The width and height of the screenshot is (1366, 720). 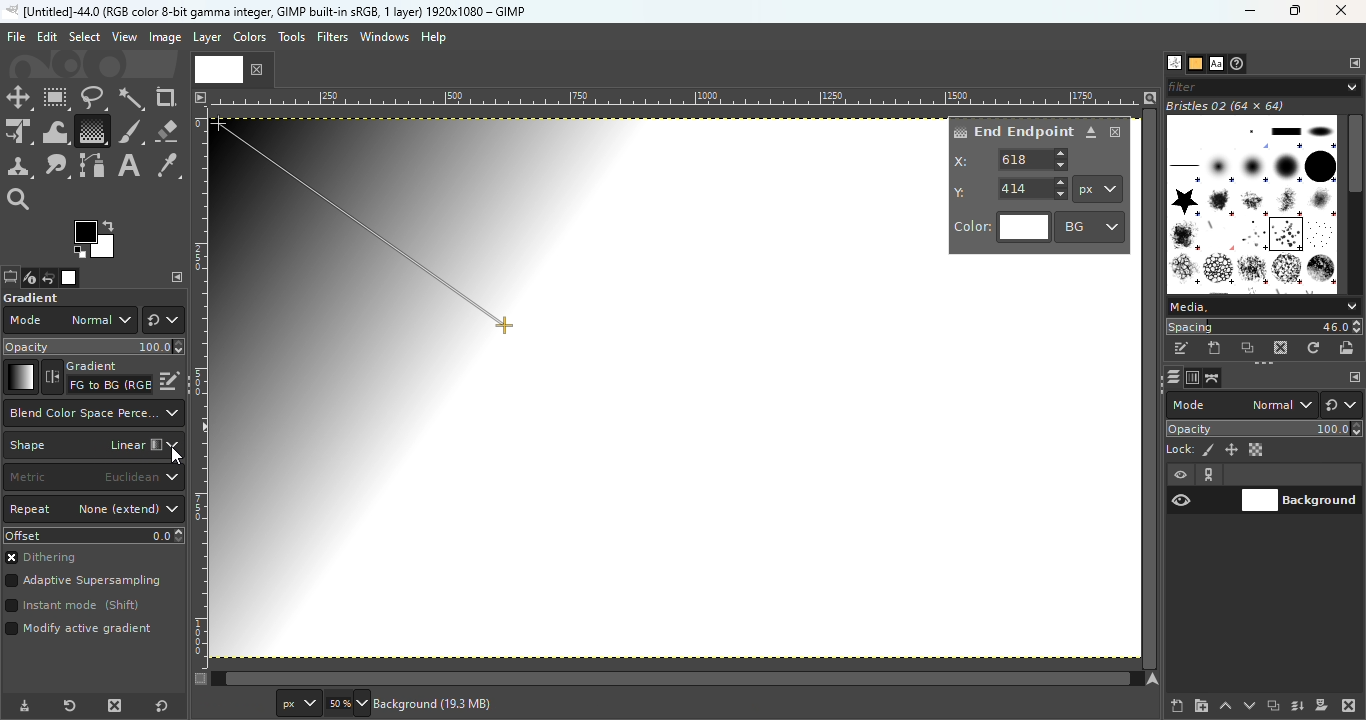 I want to click on Ruler measurement, so click(x=295, y=704).